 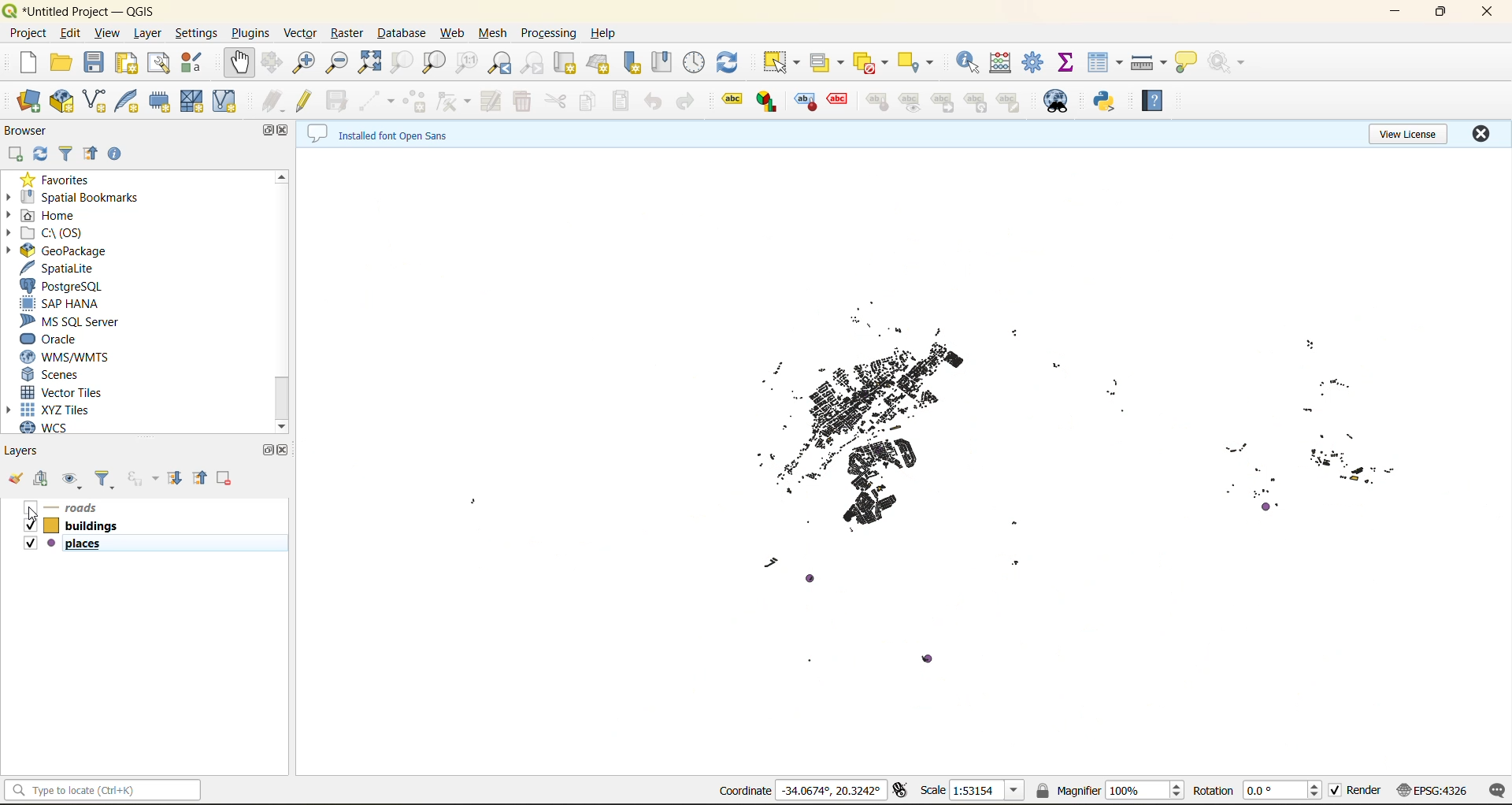 What do you see at coordinates (103, 792) in the screenshot?
I see `status bar` at bounding box center [103, 792].